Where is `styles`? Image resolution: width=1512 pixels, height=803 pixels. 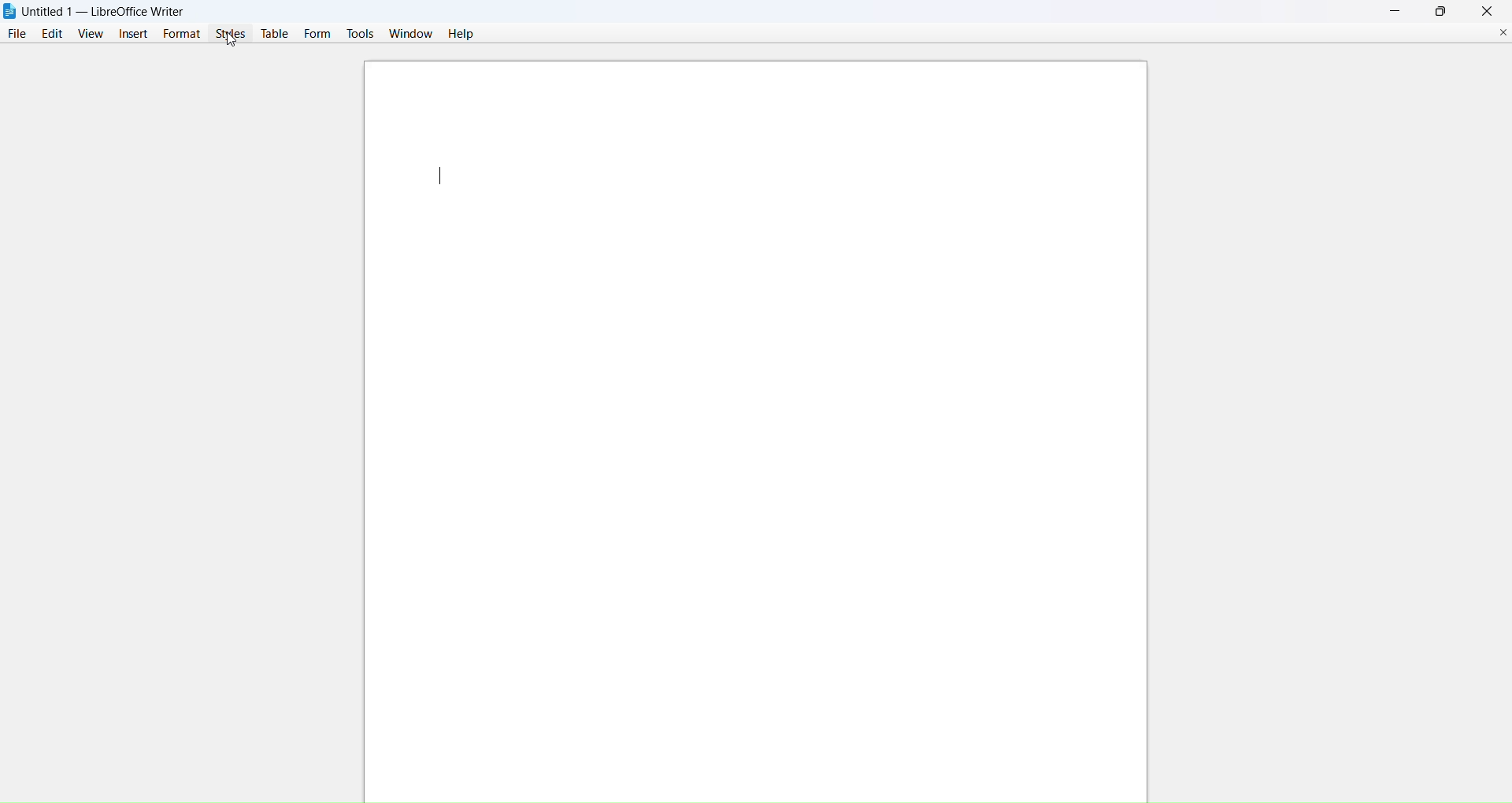
styles is located at coordinates (233, 34).